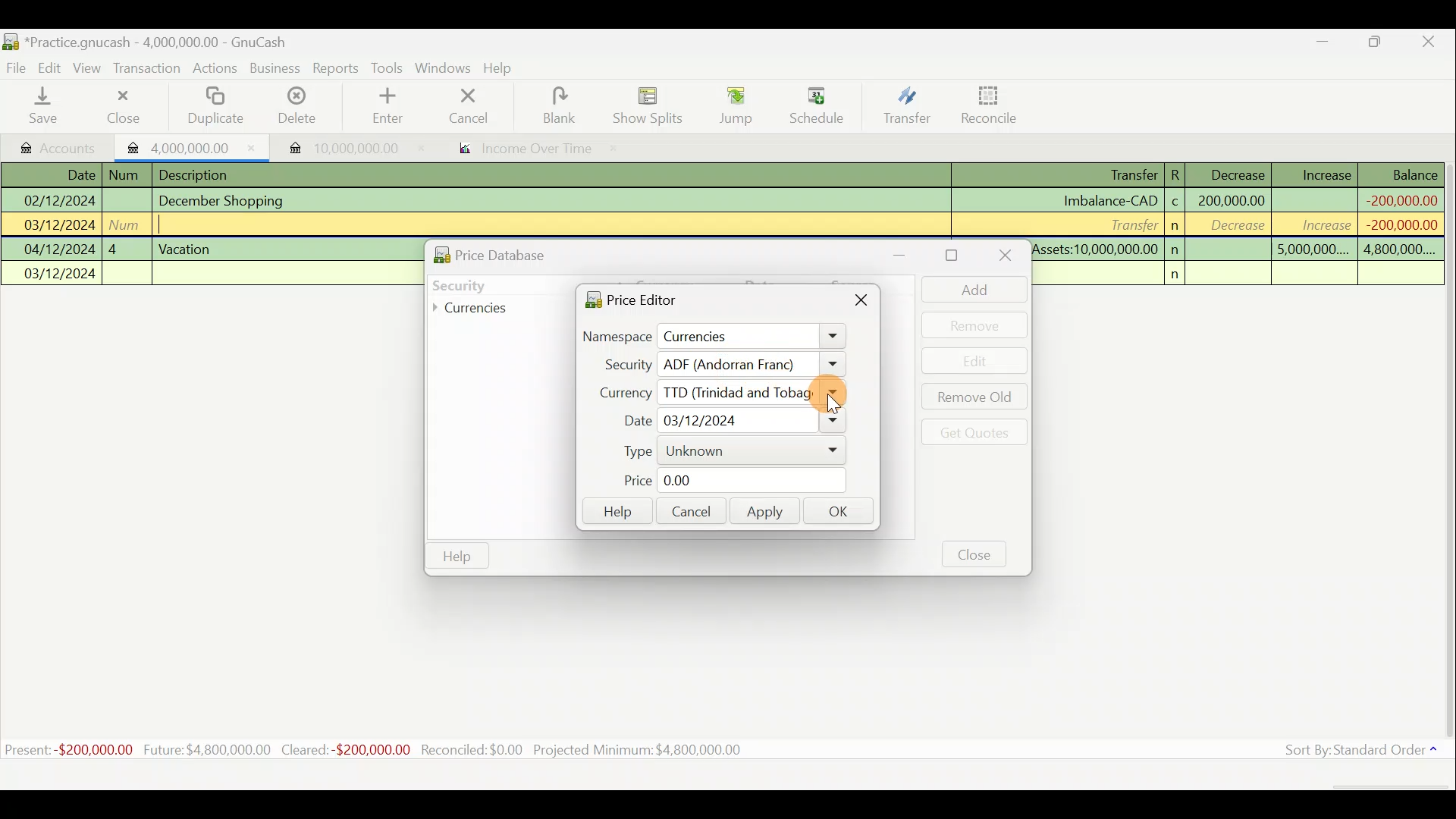 The width and height of the screenshot is (1456, 819). I want to click on Remove old, so click(971, 398).